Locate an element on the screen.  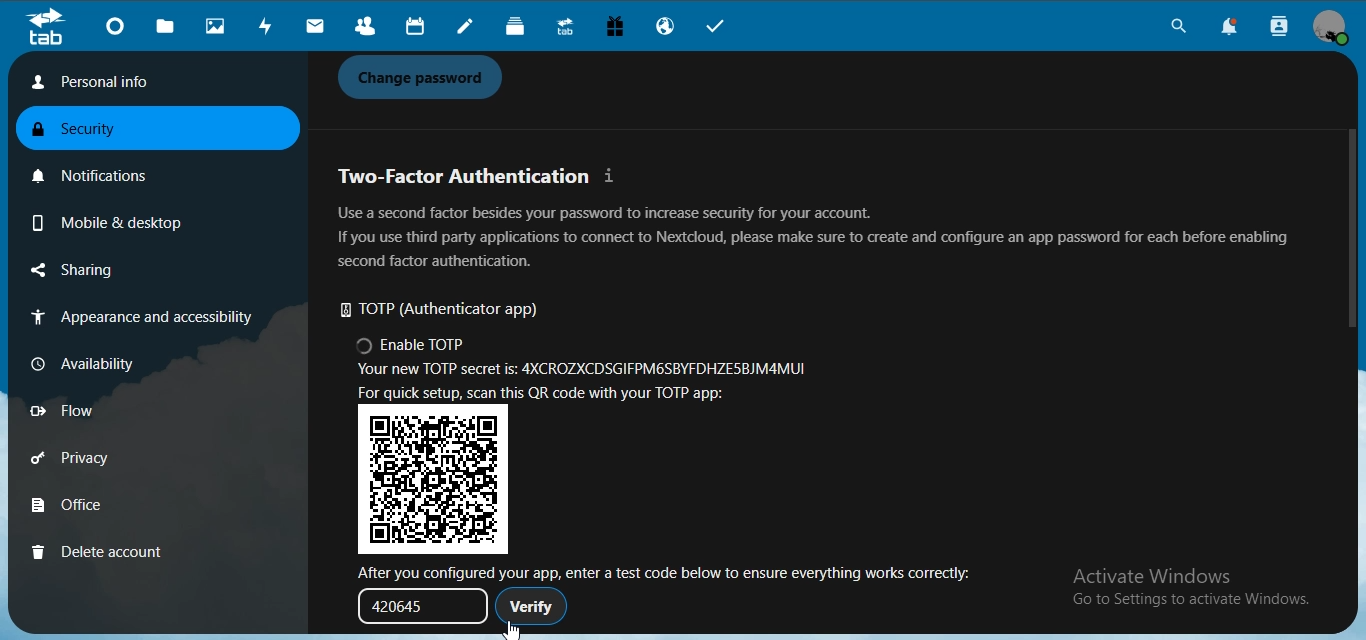
privacy is located at coordinates (98, 461).